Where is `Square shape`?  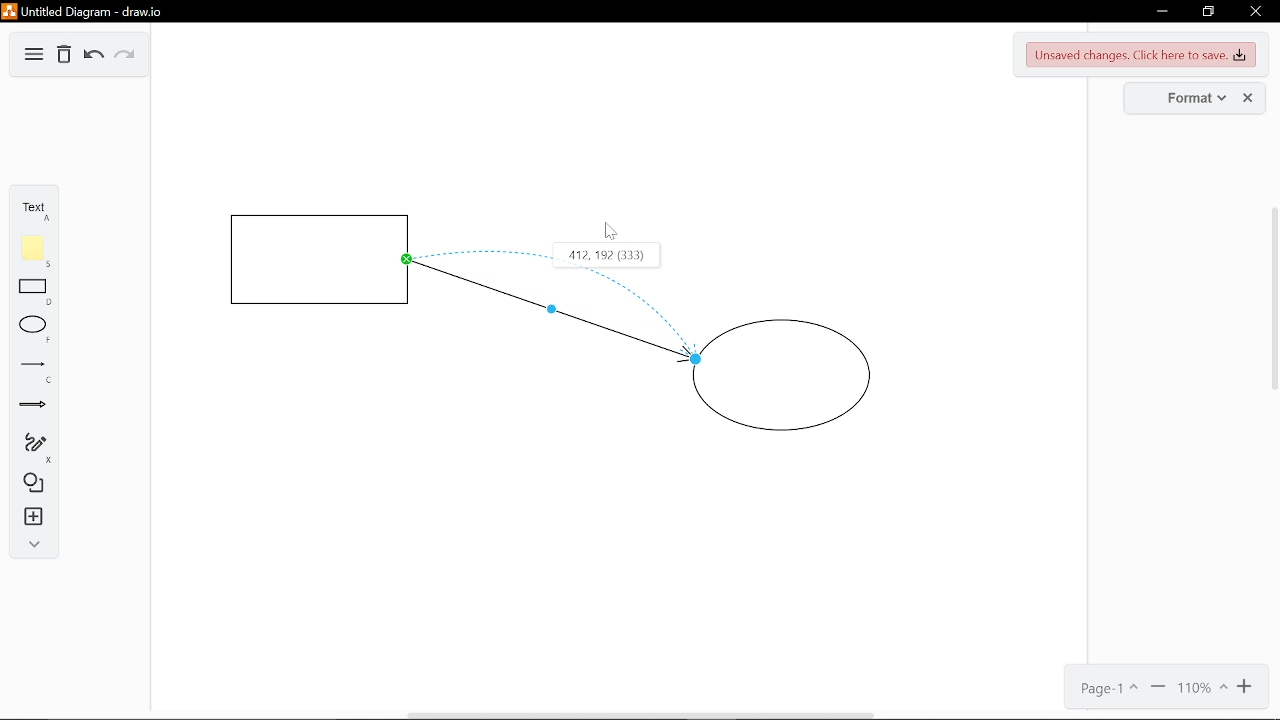 Square shape is located at coordinates (317, 258).